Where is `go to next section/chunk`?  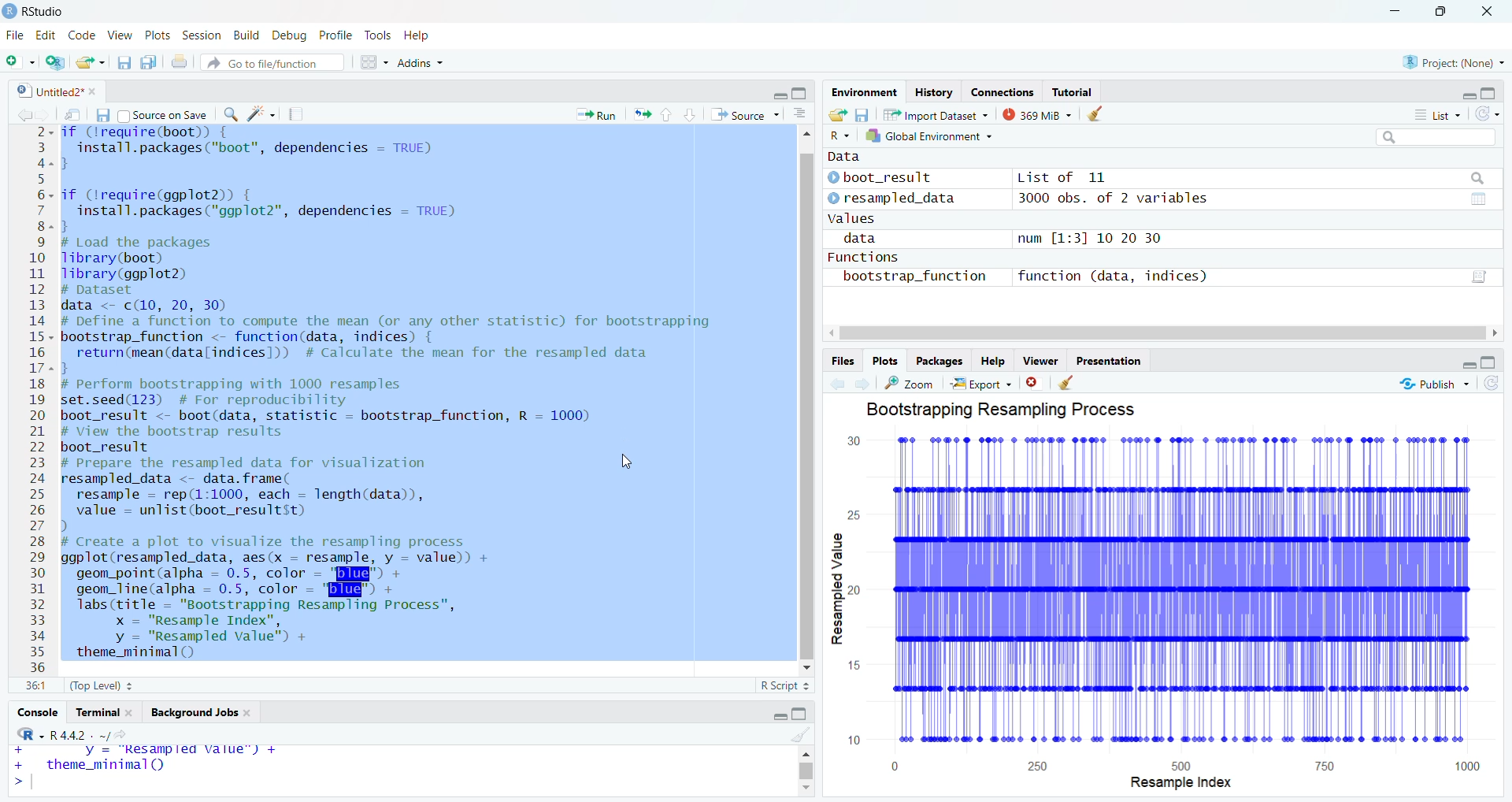 go to next section/chunk is located at coordinates (689, 114).